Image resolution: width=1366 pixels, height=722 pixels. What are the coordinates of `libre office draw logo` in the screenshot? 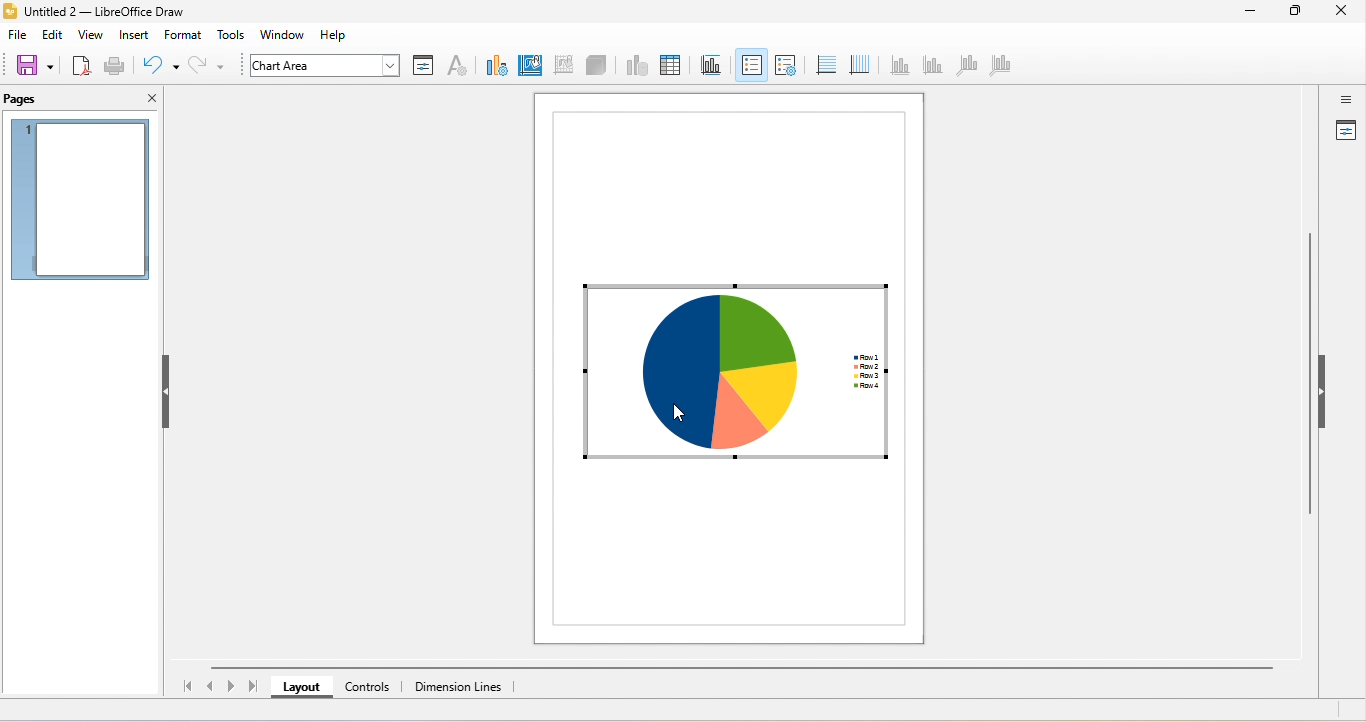 It's located at (9, 11).